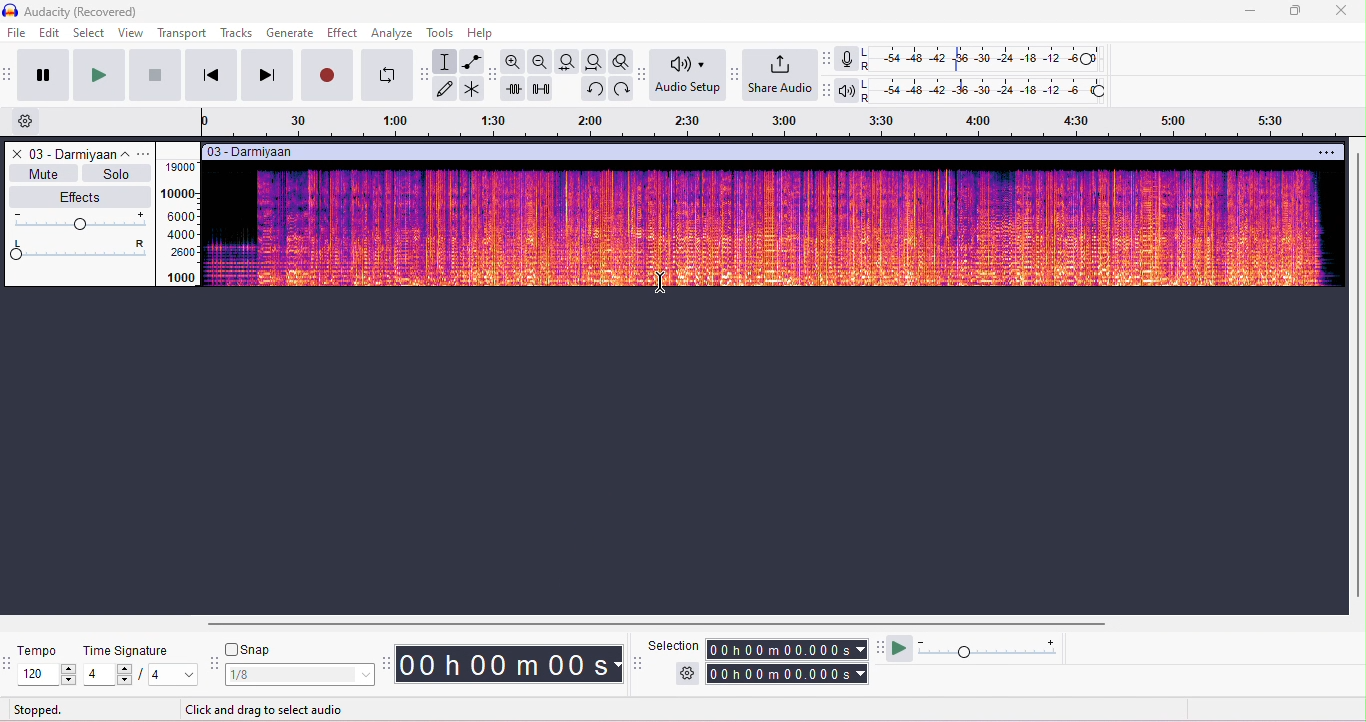 This screenshot has height=722, width=1366. Describe the element at coordinates (142, 674) in the screenshot. I see `select time signature` at that location.